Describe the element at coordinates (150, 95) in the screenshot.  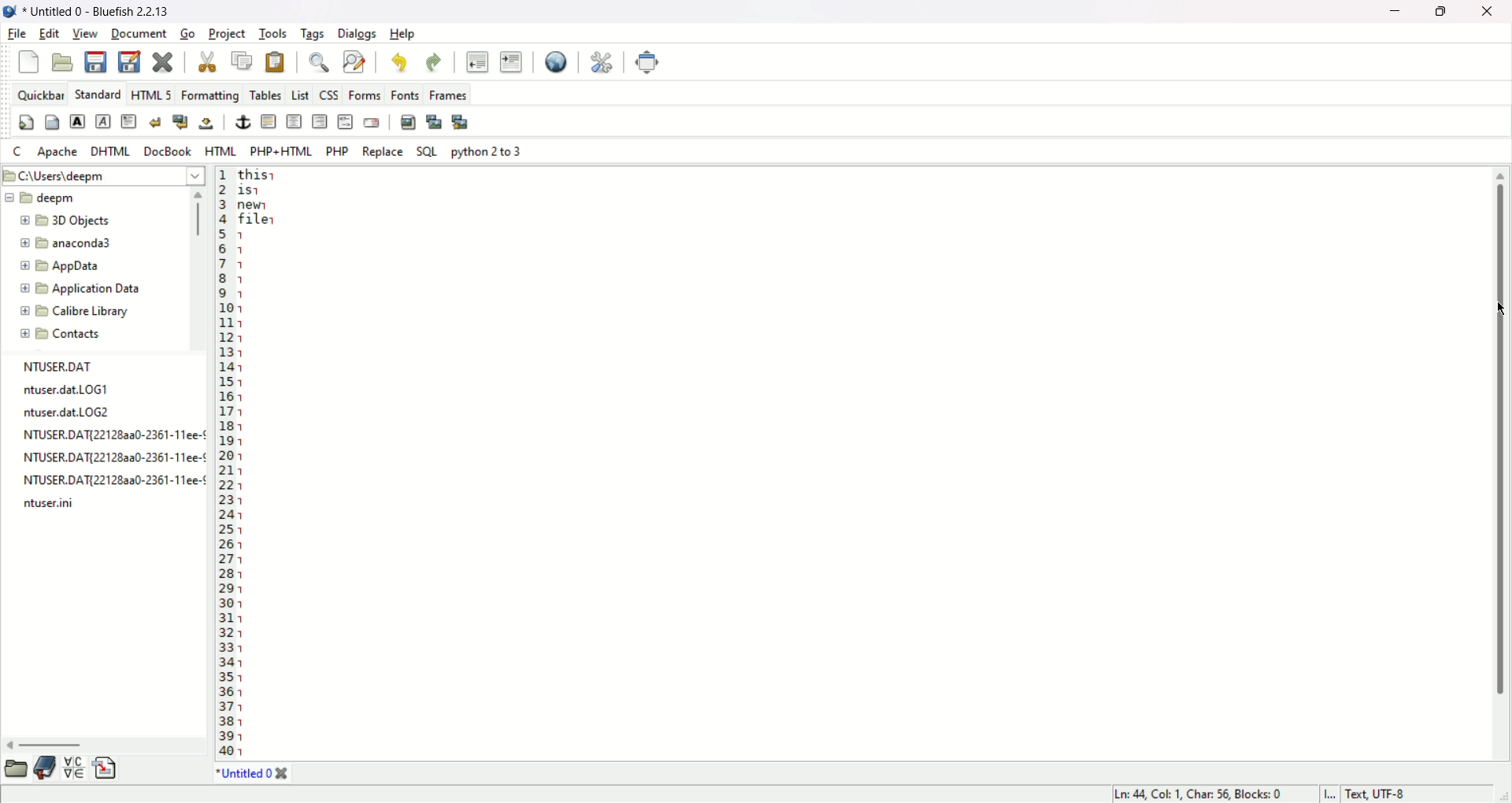
I see `HTML5` at that location.